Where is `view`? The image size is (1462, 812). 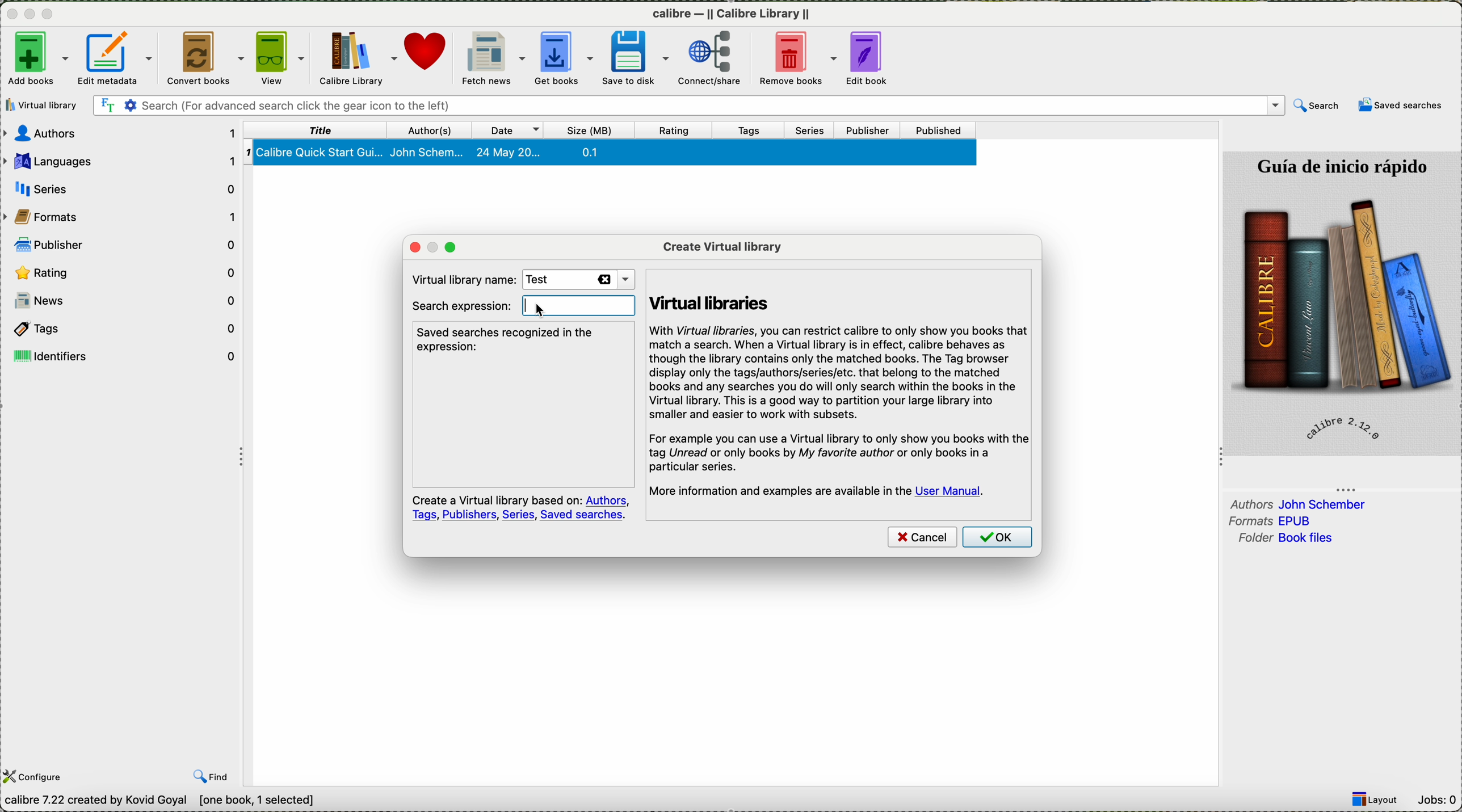 view is located at coordinates (282, 59).